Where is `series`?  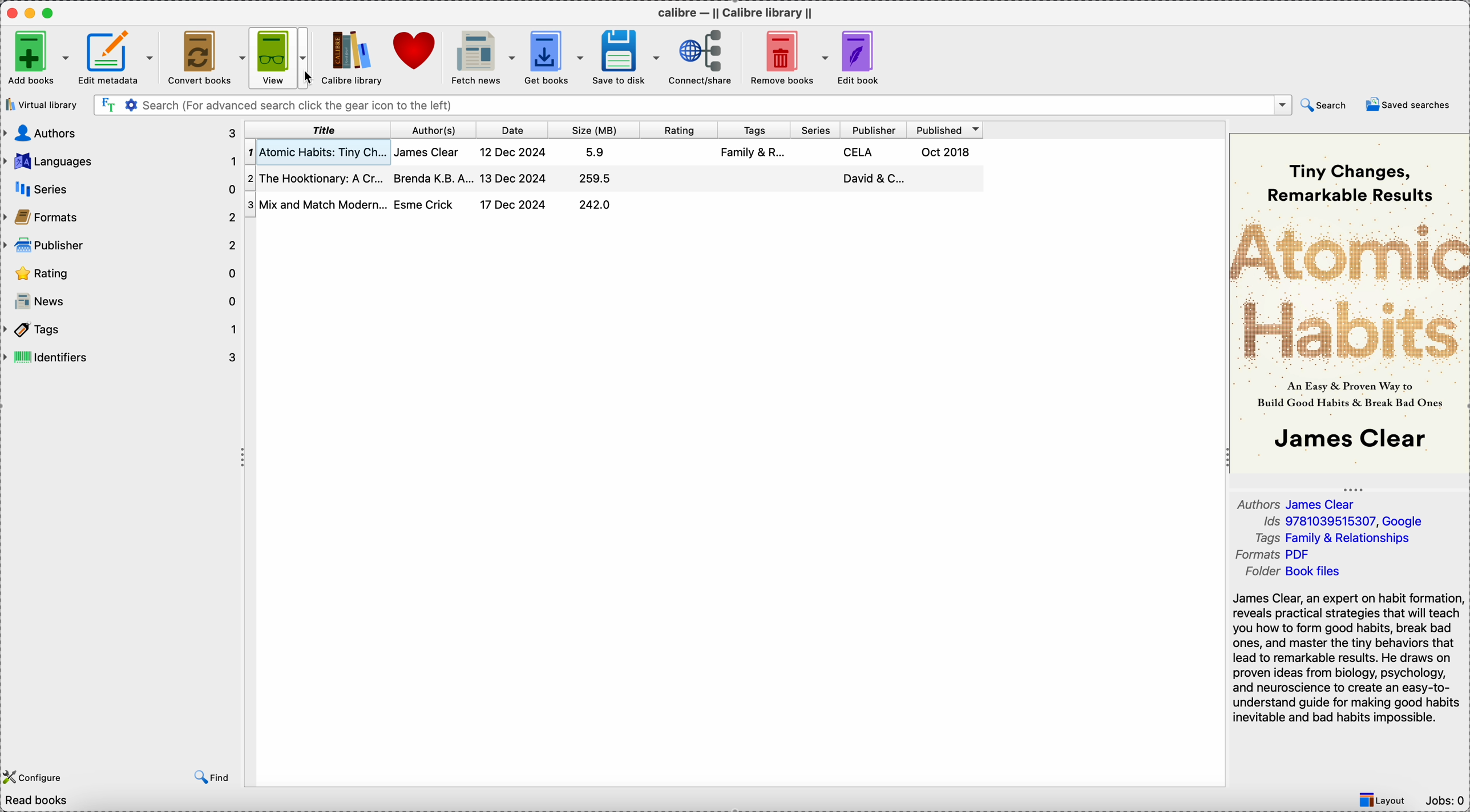
series is located at coordinates (122, 185).